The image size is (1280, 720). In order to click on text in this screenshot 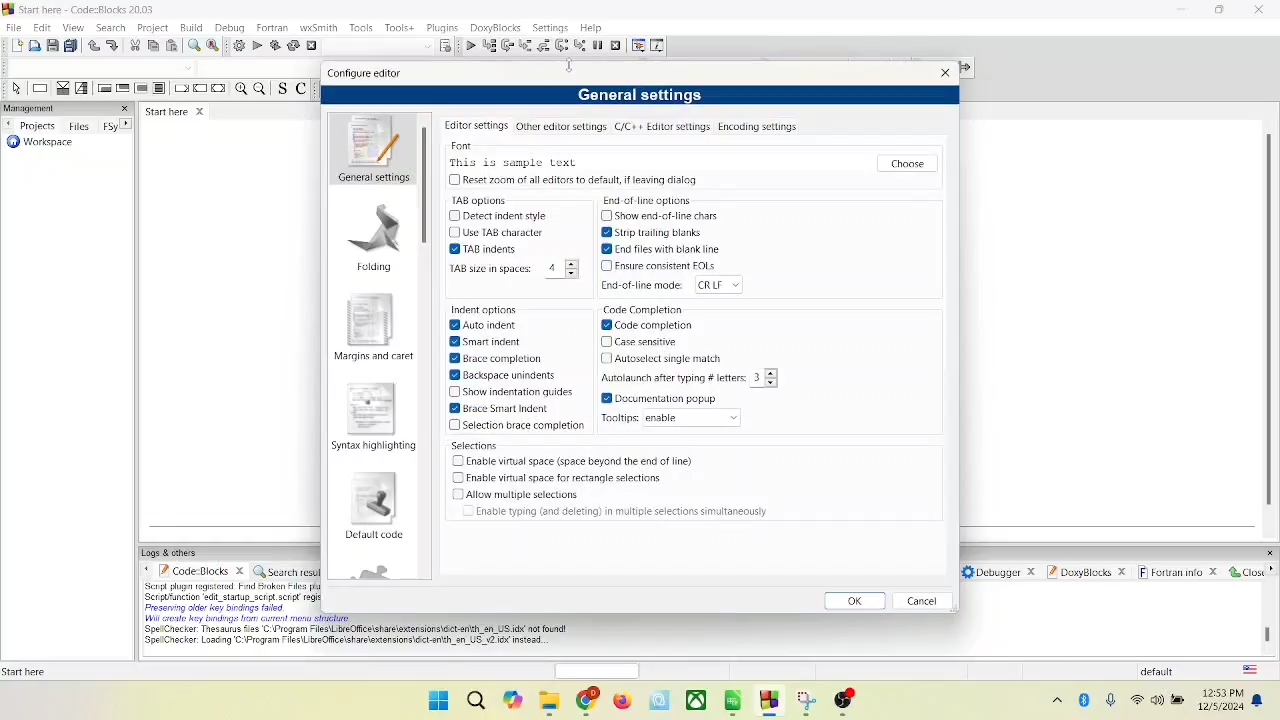, I will do `click(624, 513)`.